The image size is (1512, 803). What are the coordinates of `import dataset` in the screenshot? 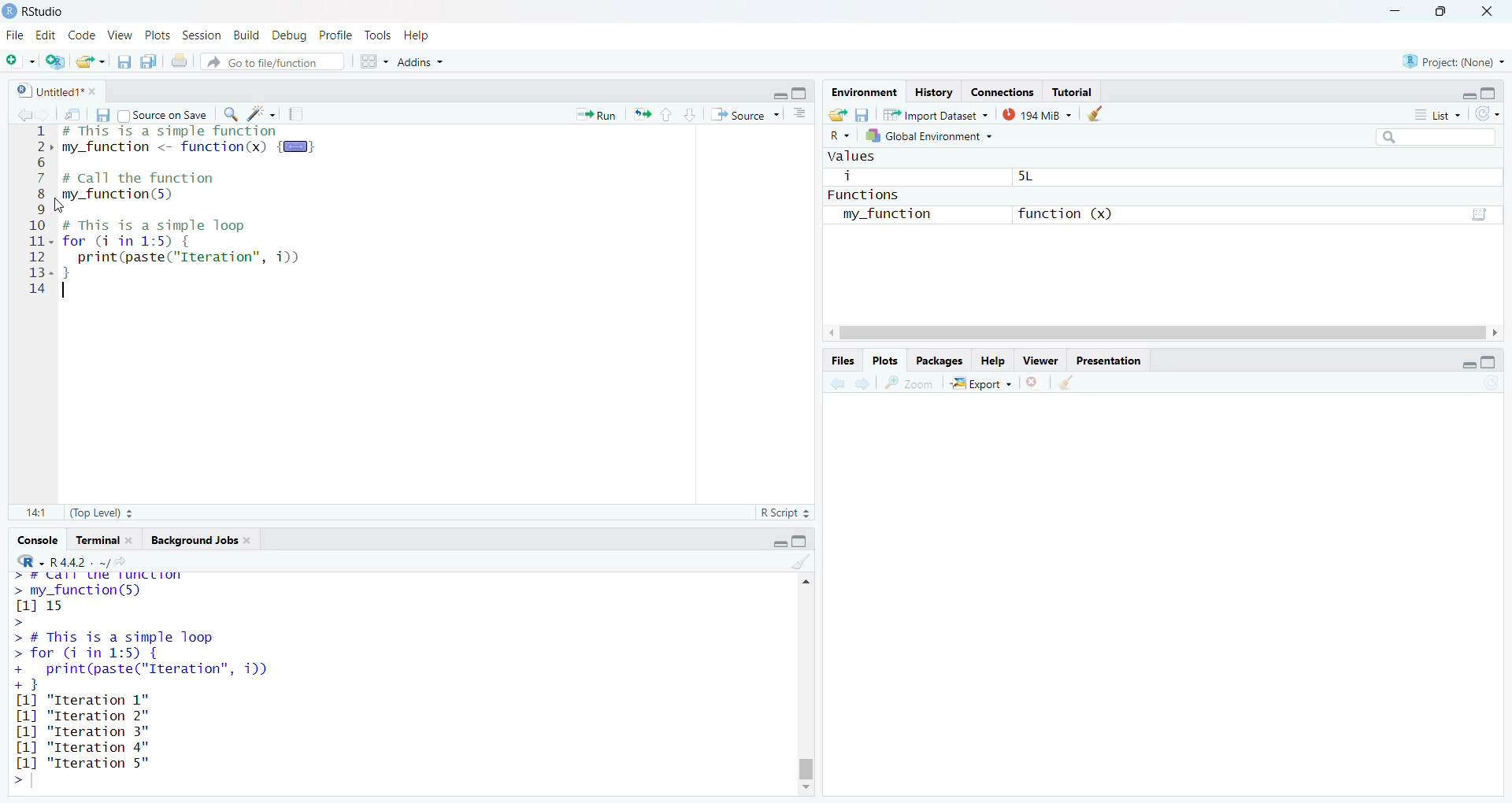 It's located at (936, 117).